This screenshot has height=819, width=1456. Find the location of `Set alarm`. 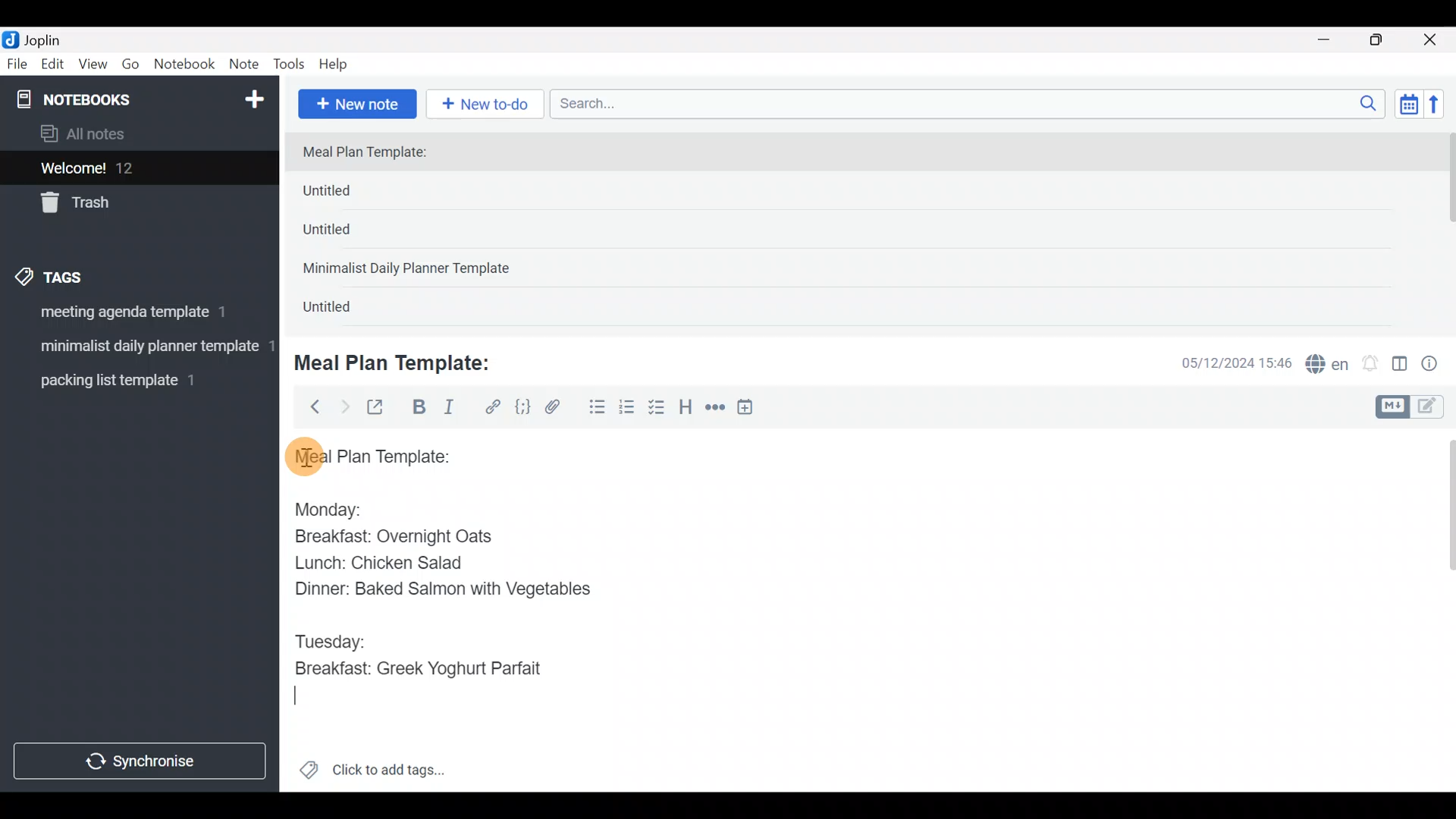

Set alarm is located at coordinates (1371, 365).